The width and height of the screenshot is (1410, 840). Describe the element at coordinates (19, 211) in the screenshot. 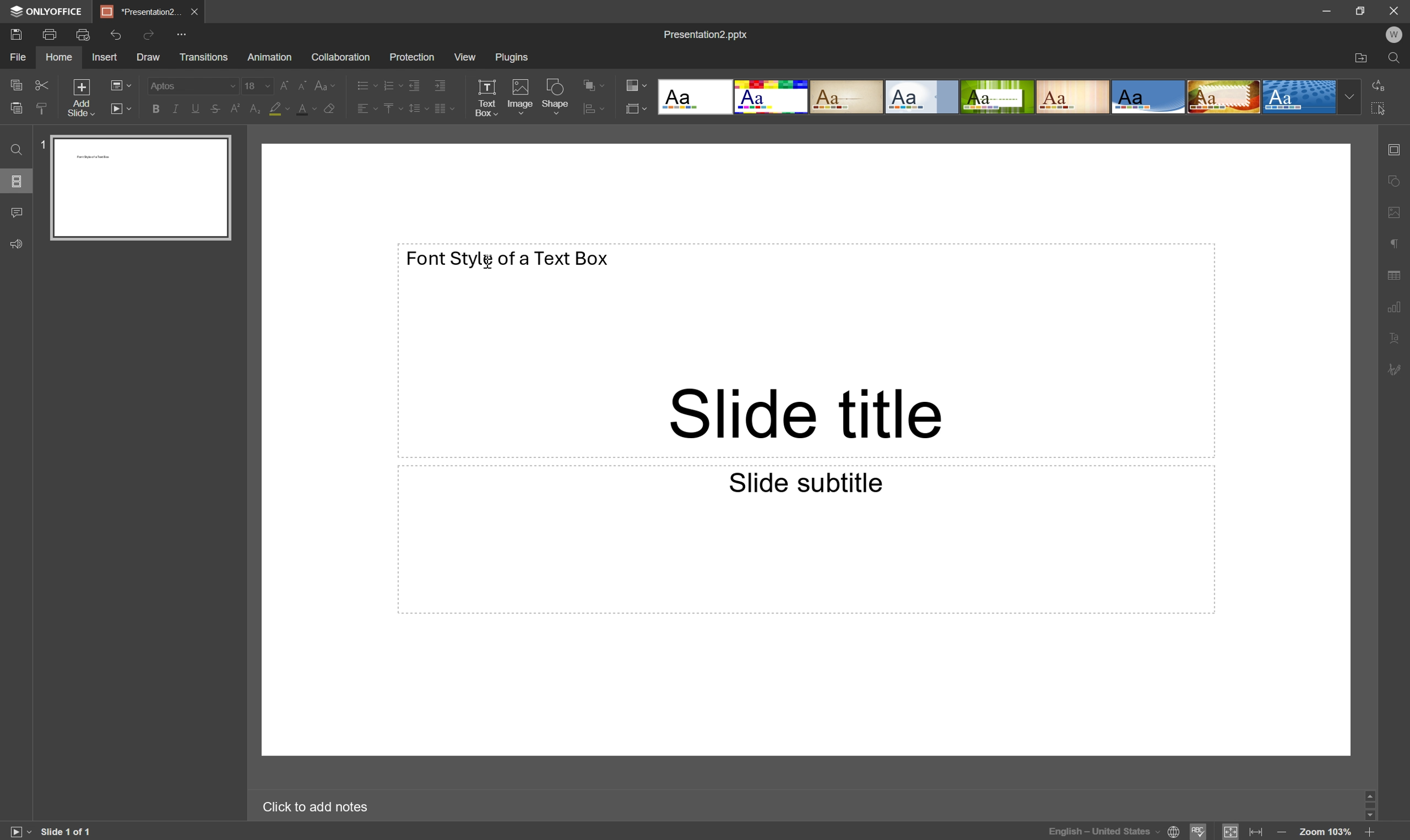

I see `Comments` at that location.